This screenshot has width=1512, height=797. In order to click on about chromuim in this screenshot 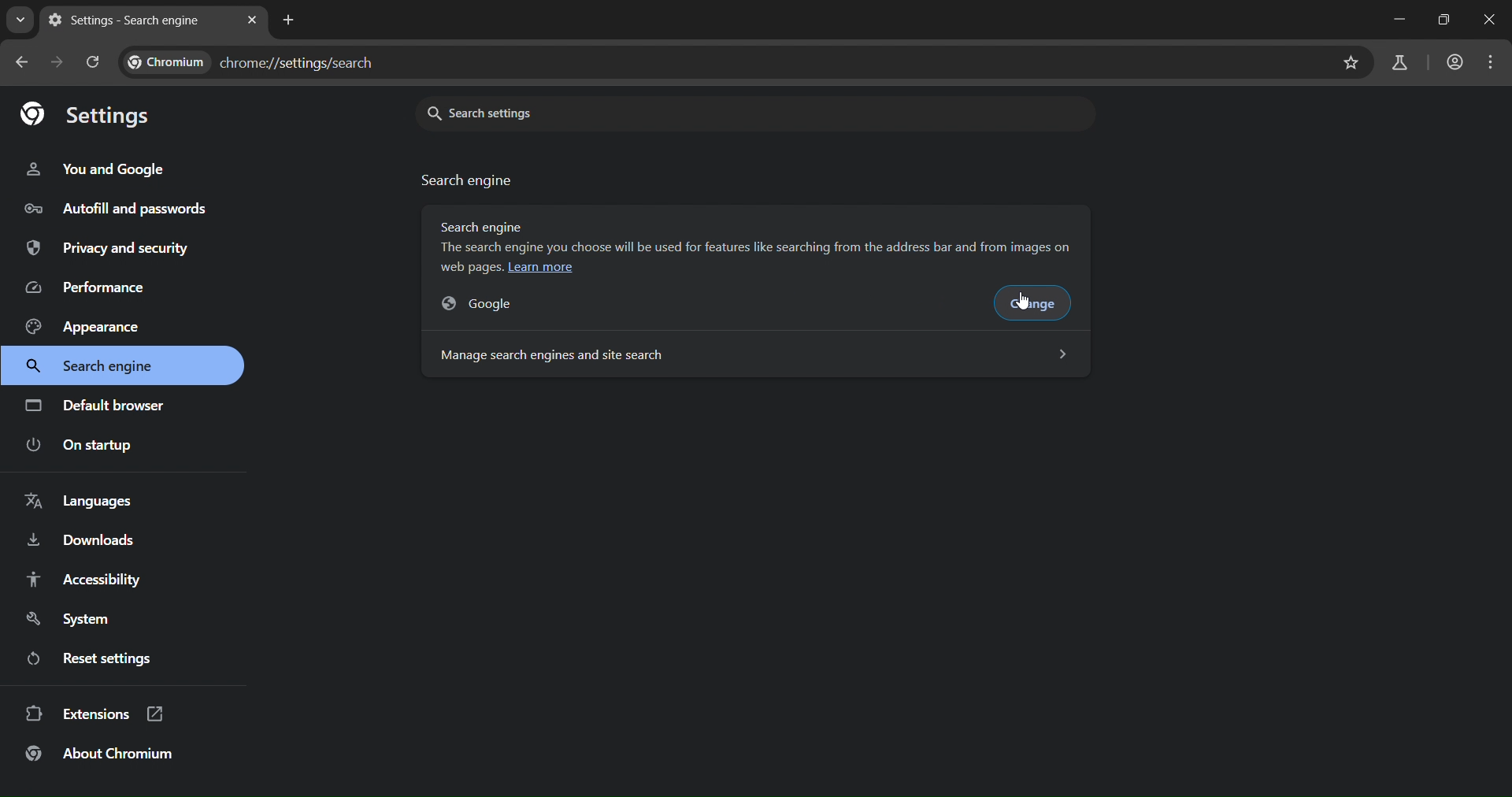, I will do `click(104, 757)`.